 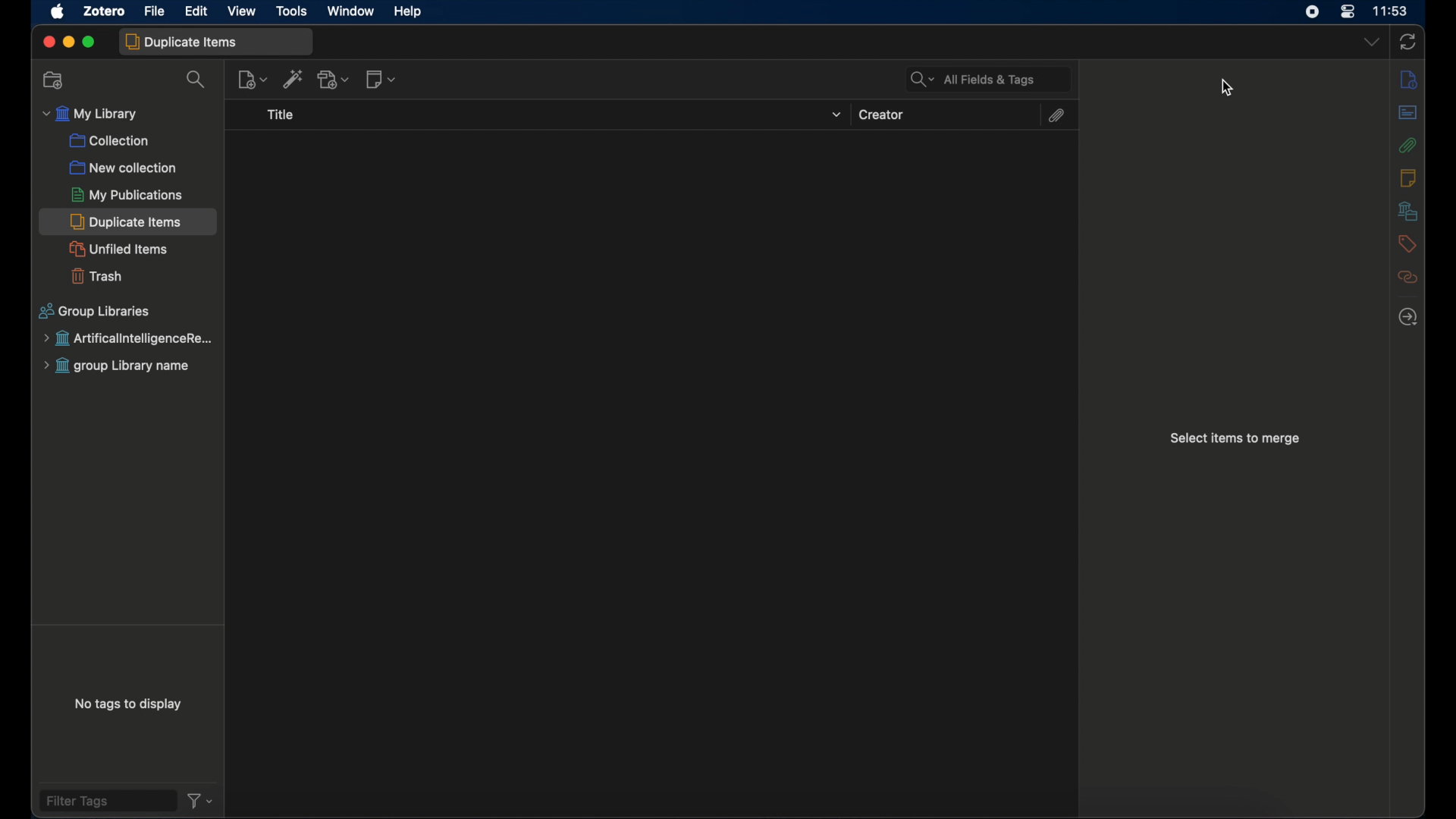 I want to click on my publications, so click(x=127, y=195).